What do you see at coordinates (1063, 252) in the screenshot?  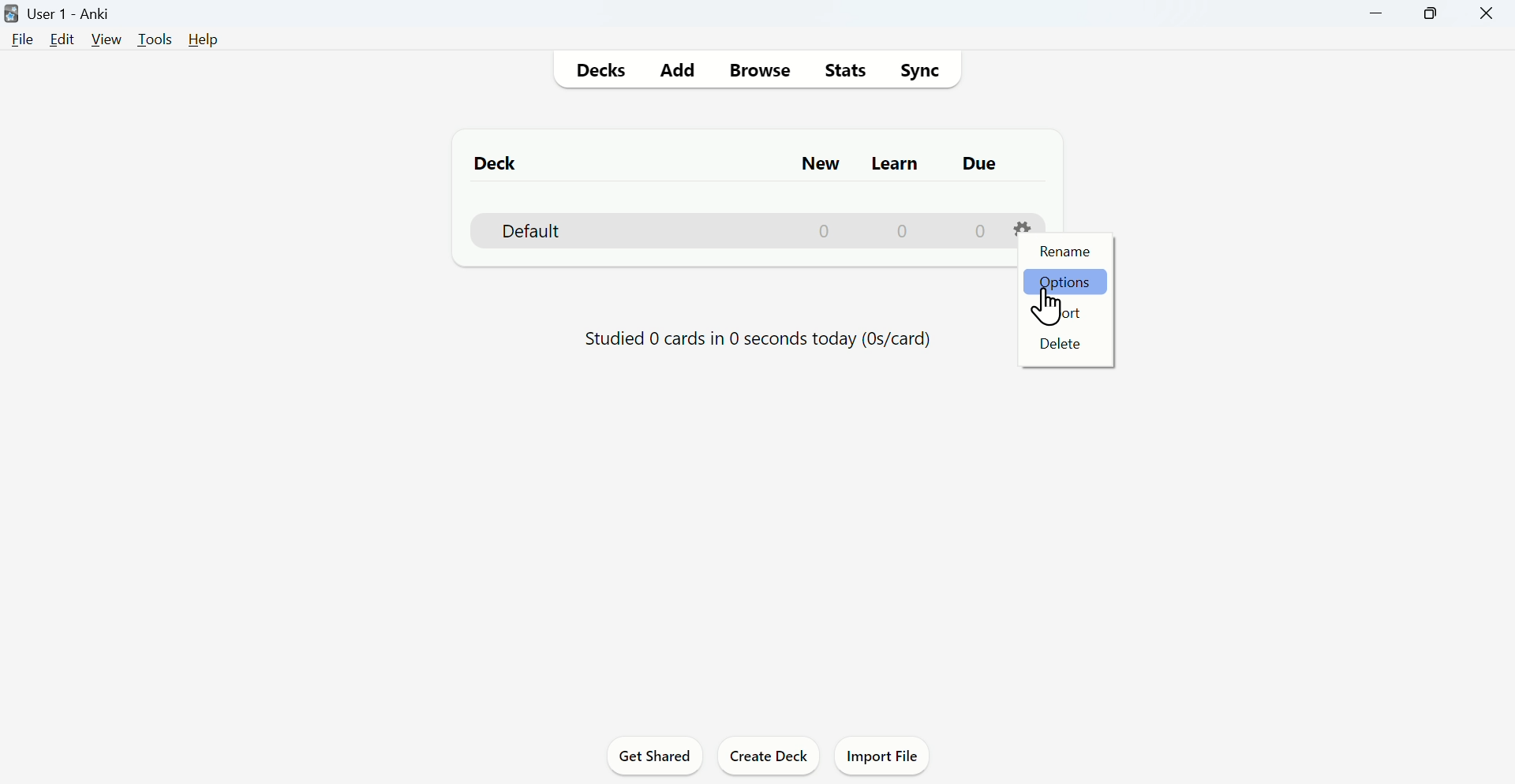 I see `Rename` at bounding box center [1063, 252].